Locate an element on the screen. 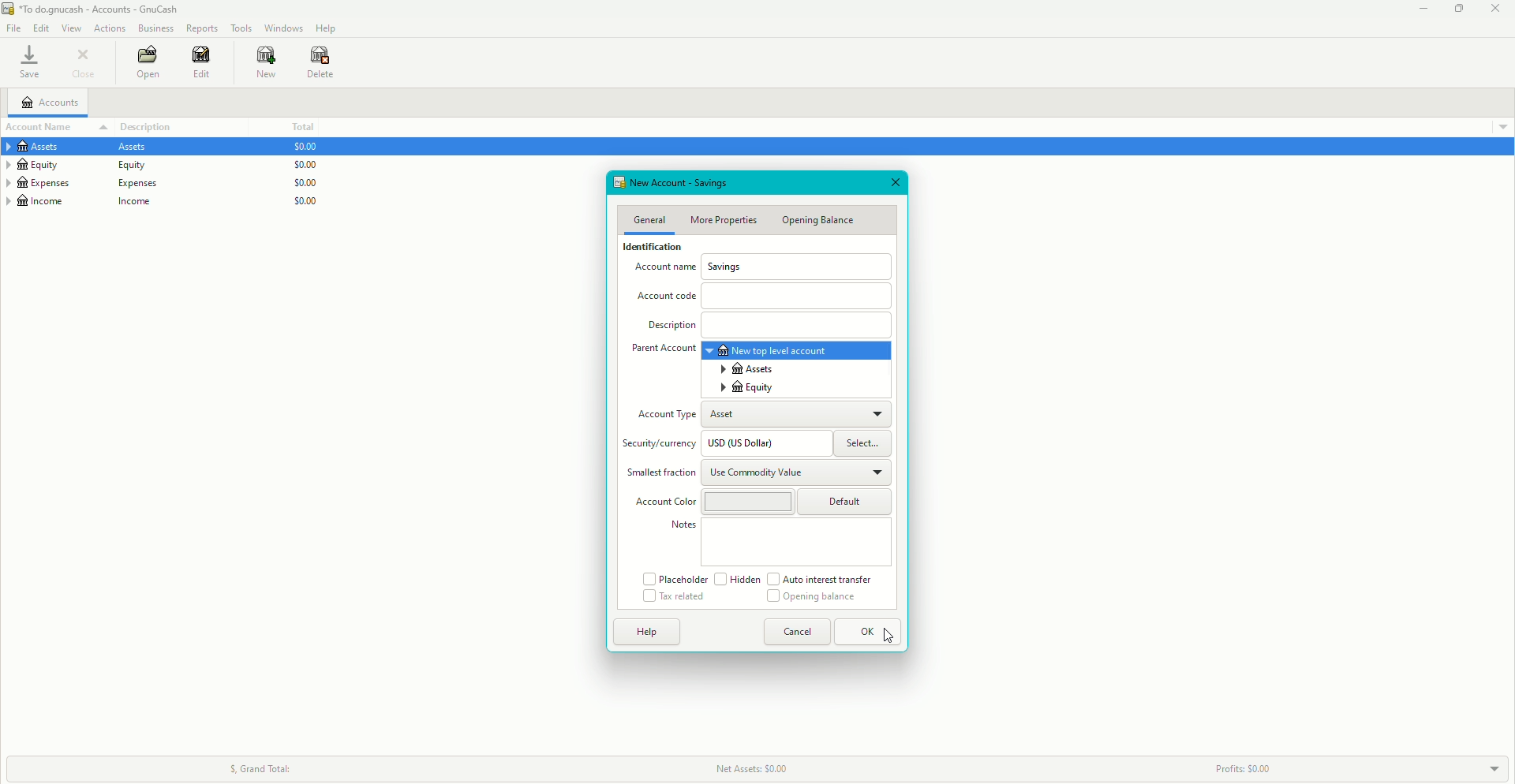 This screenshot has width=1515, height=784. Typing box for account name is located at coordinates (798, 266).